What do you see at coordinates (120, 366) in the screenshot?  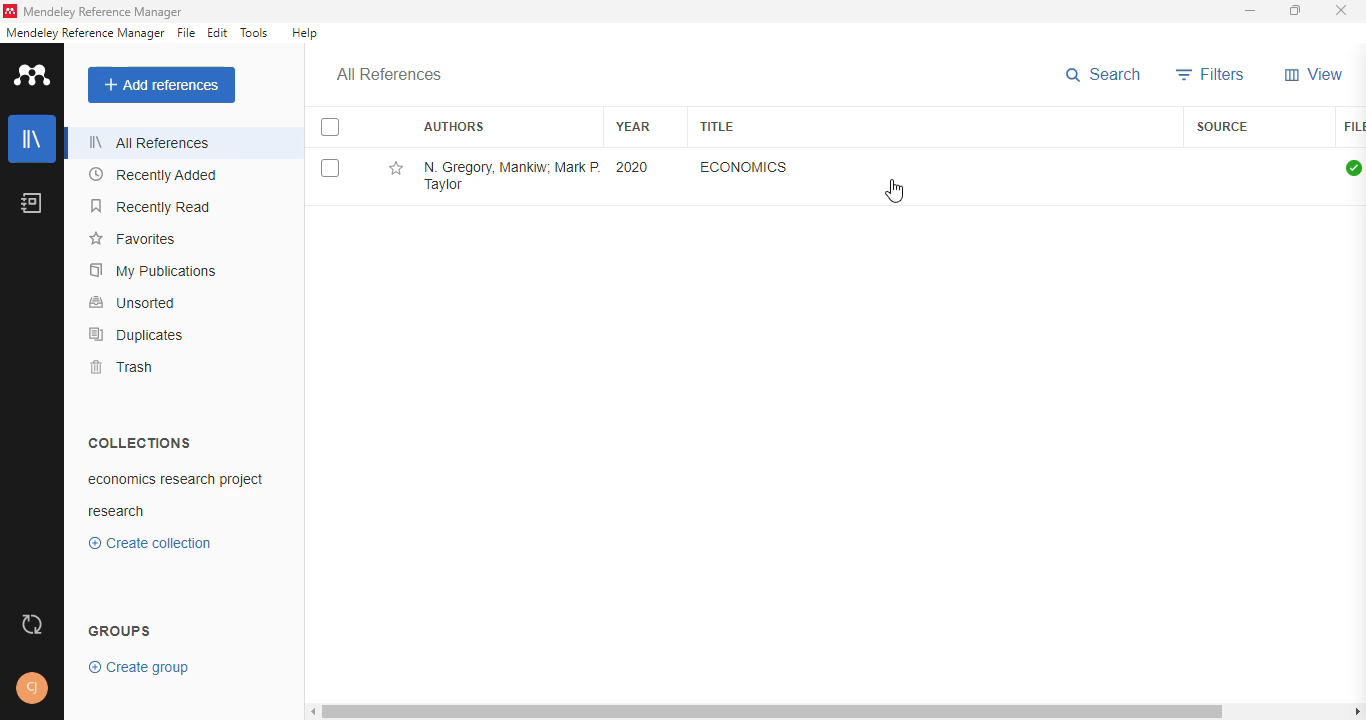 I see `trash` at bounding box center [120, 366].